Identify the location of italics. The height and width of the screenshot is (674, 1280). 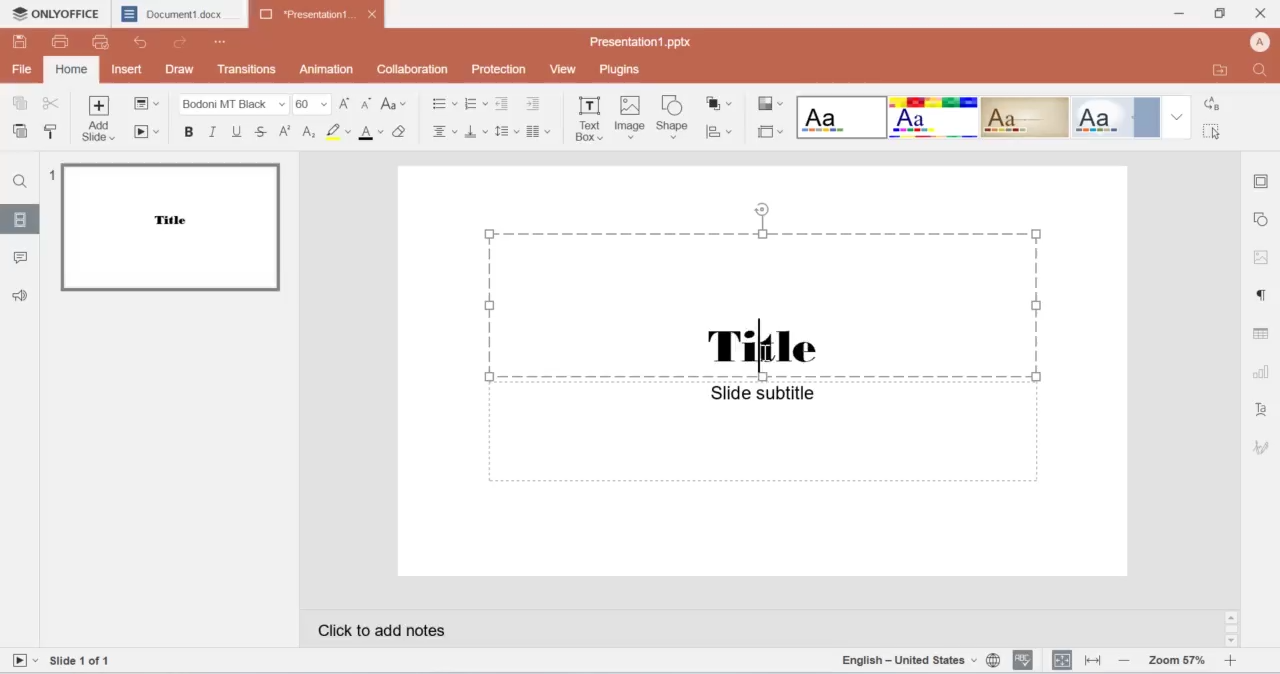
(215, 131).